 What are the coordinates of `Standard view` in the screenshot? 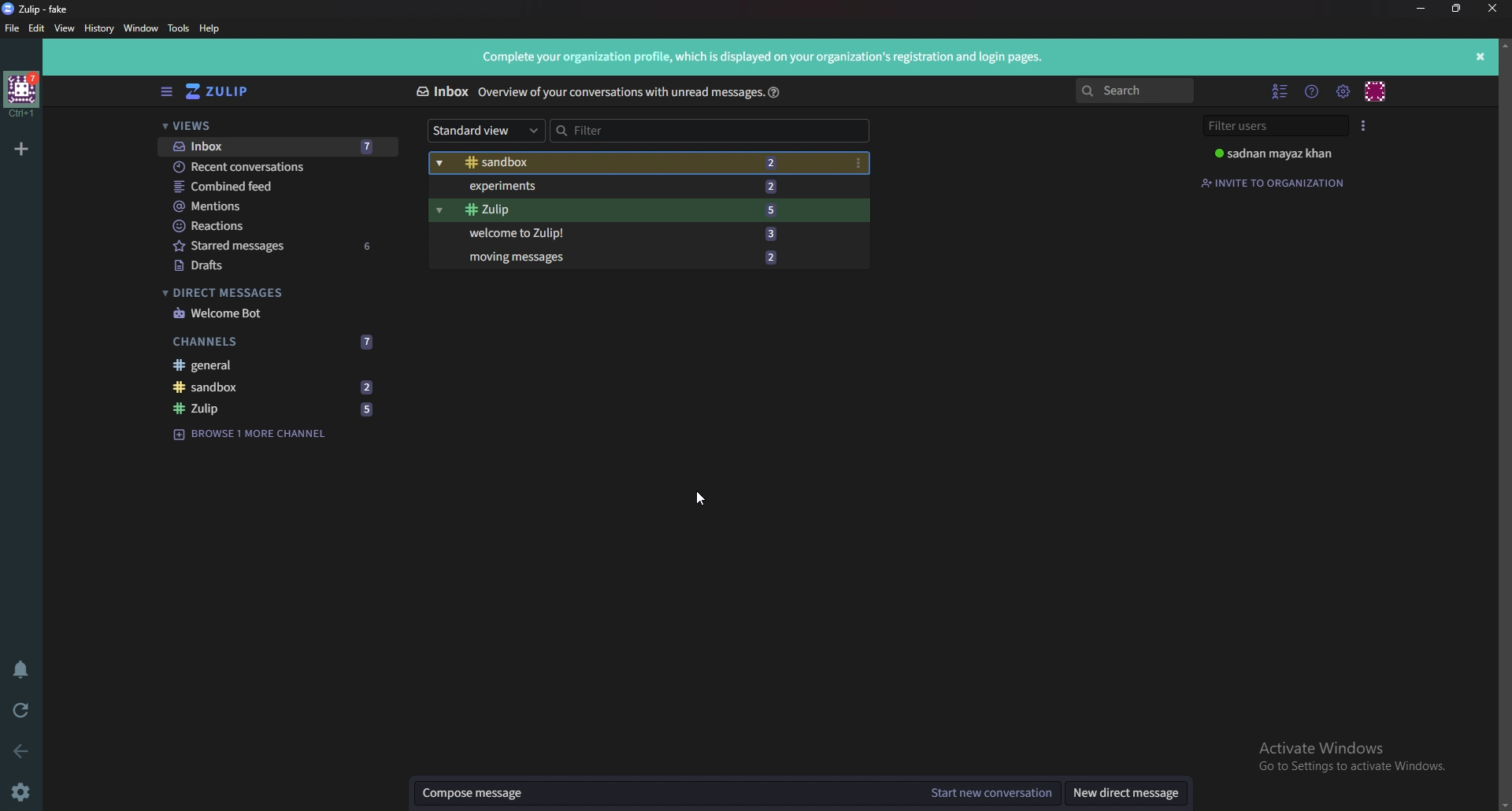 It's located at (491, 131).